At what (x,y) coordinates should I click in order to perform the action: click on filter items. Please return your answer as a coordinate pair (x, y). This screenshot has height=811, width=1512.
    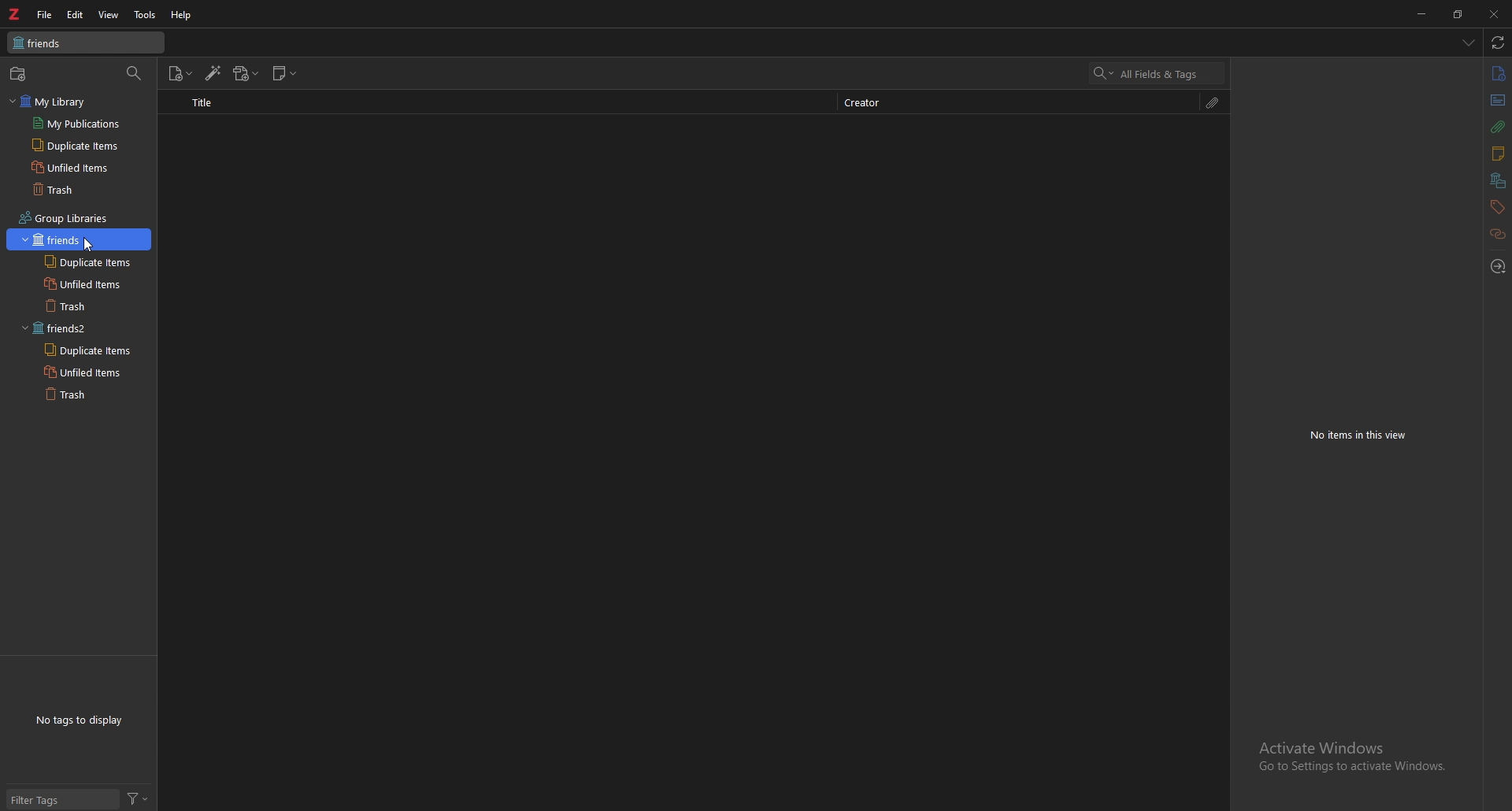
    Looking at the image, I should click on (134, 74).